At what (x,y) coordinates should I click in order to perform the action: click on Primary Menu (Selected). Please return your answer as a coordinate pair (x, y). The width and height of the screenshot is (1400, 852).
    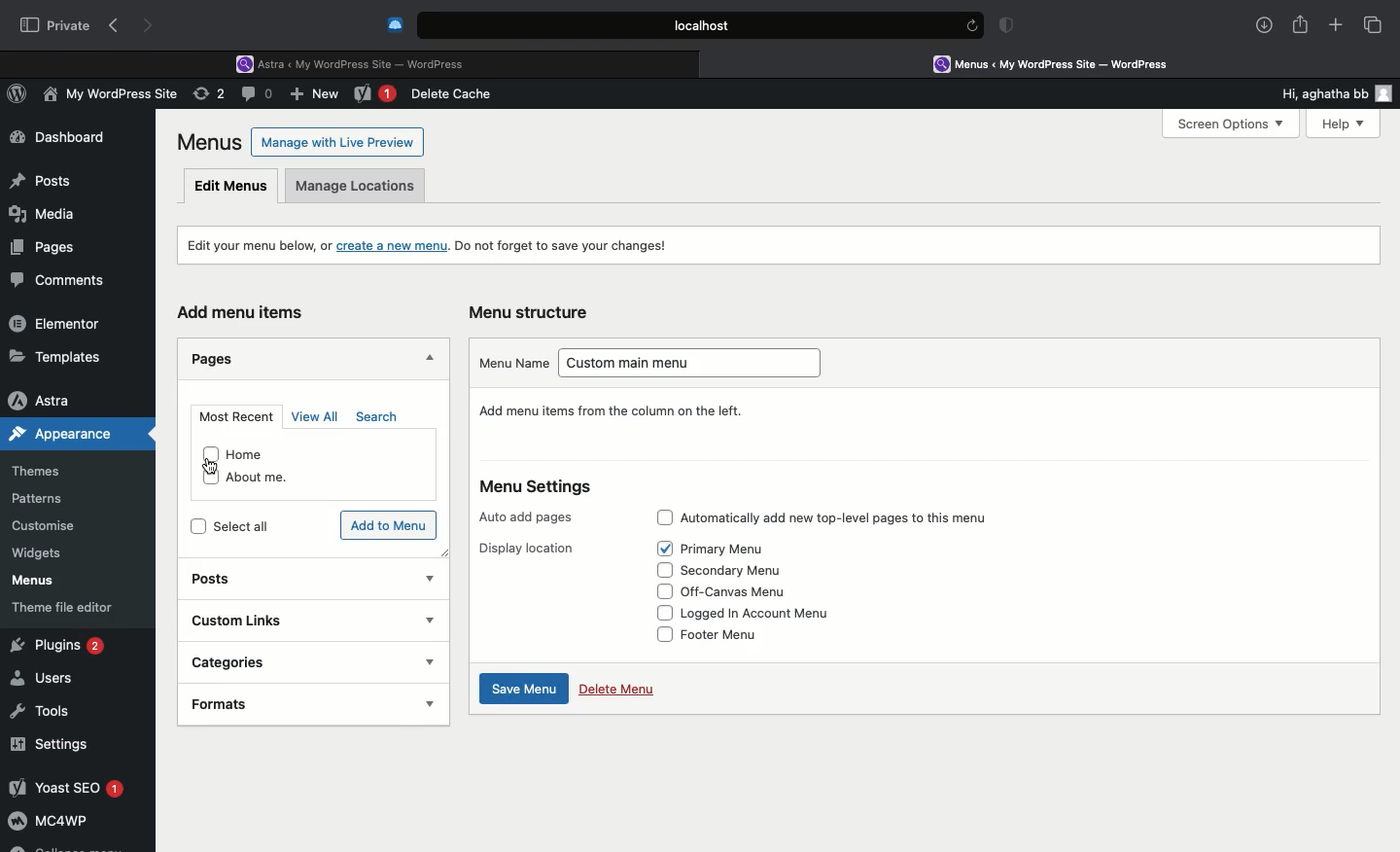
    Looking at the image, I should click on (738, 546).